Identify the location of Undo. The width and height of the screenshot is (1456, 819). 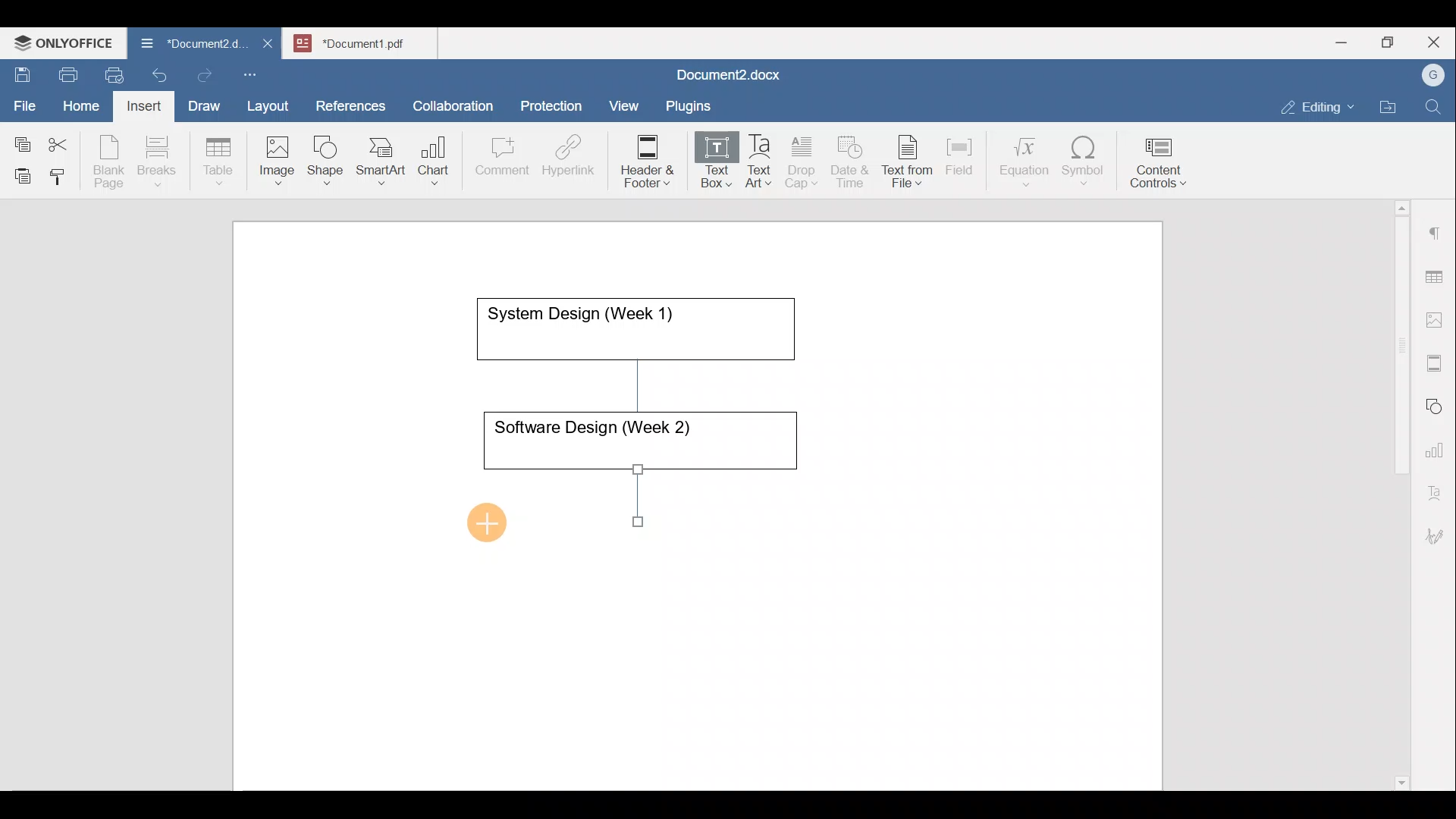
(156, 73).